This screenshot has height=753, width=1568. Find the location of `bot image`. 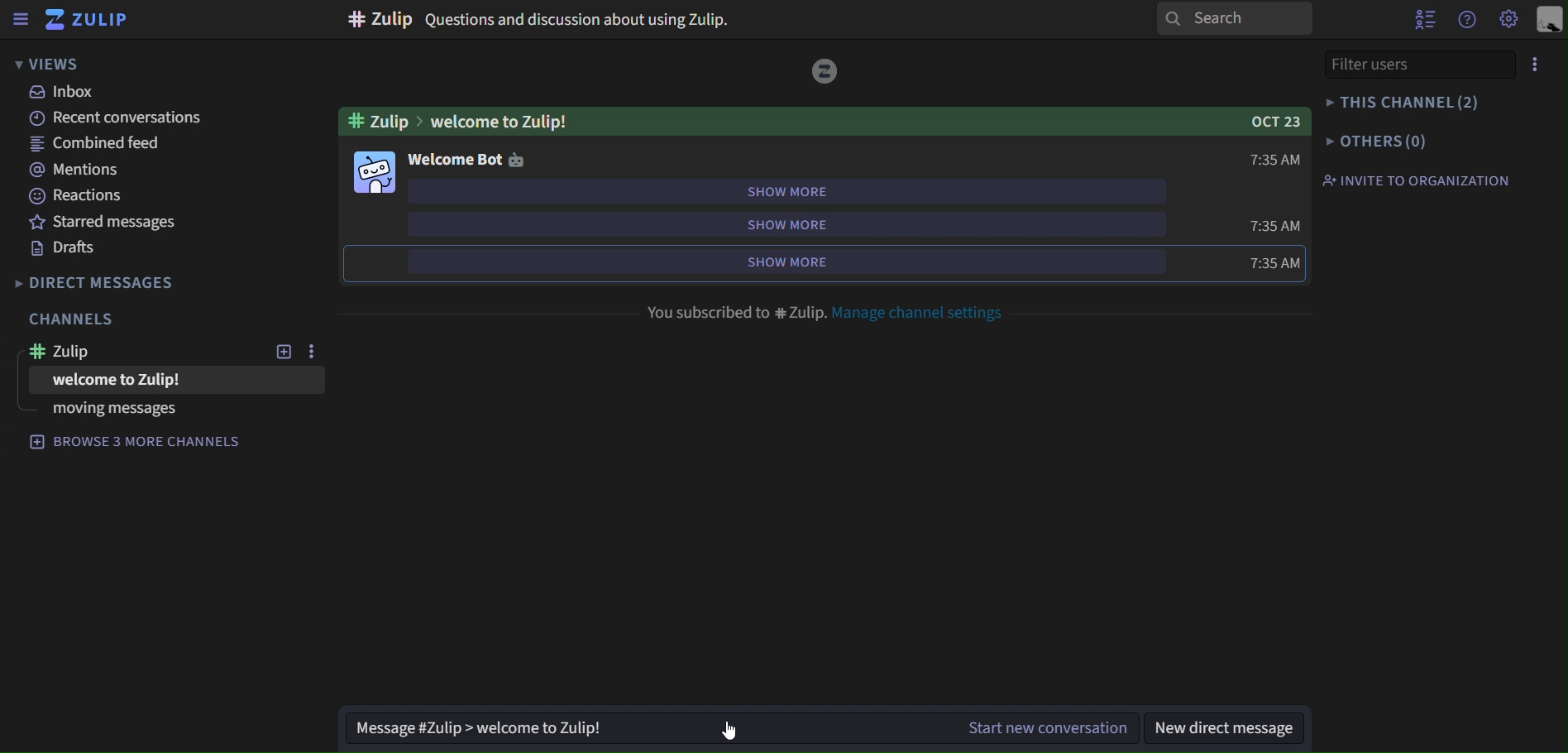

bot image is located at coordinates (375, 174).